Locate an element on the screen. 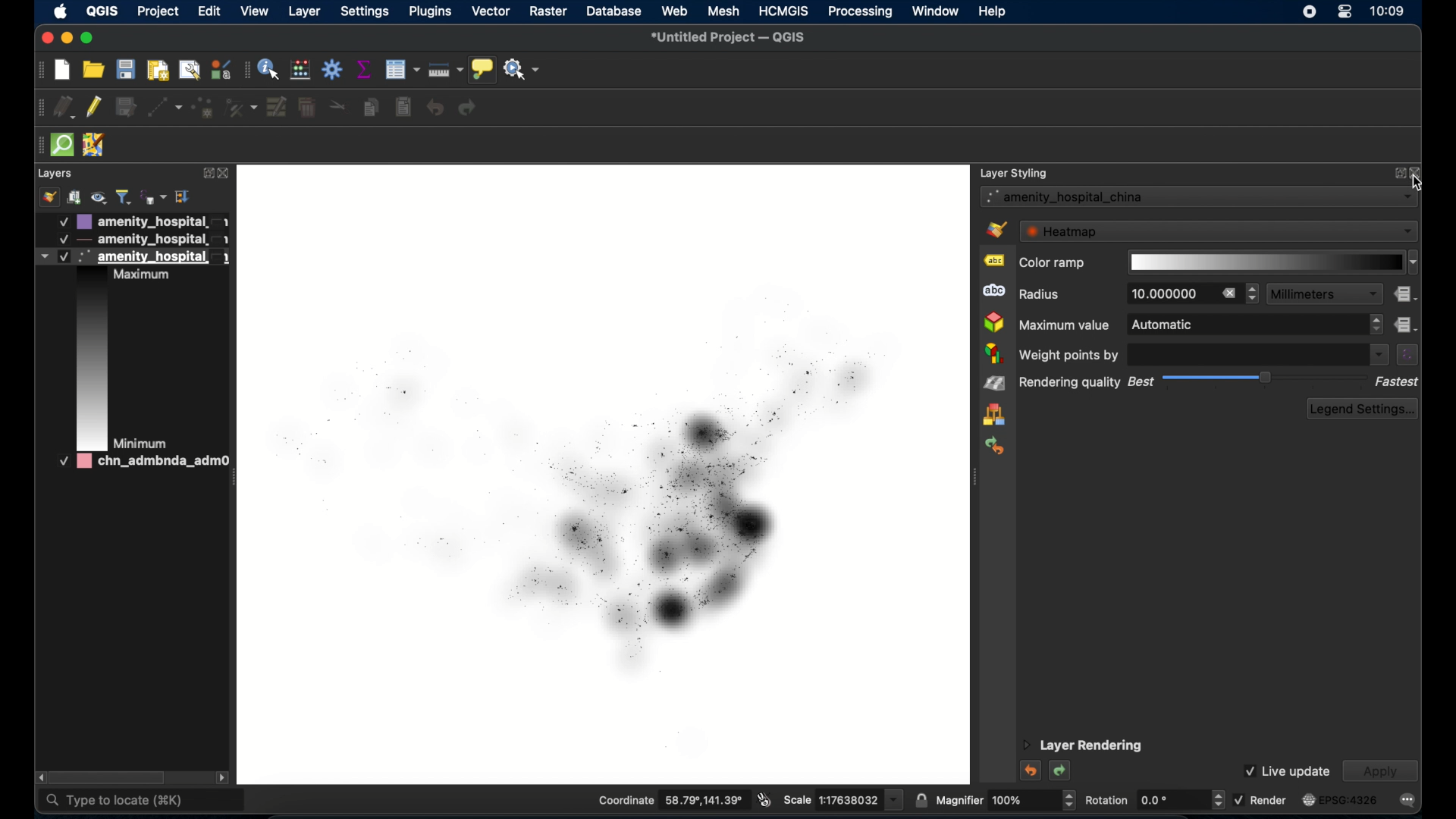 This screenshot has height=819, width=1456. 3d view is located at coordinates (994, 323).